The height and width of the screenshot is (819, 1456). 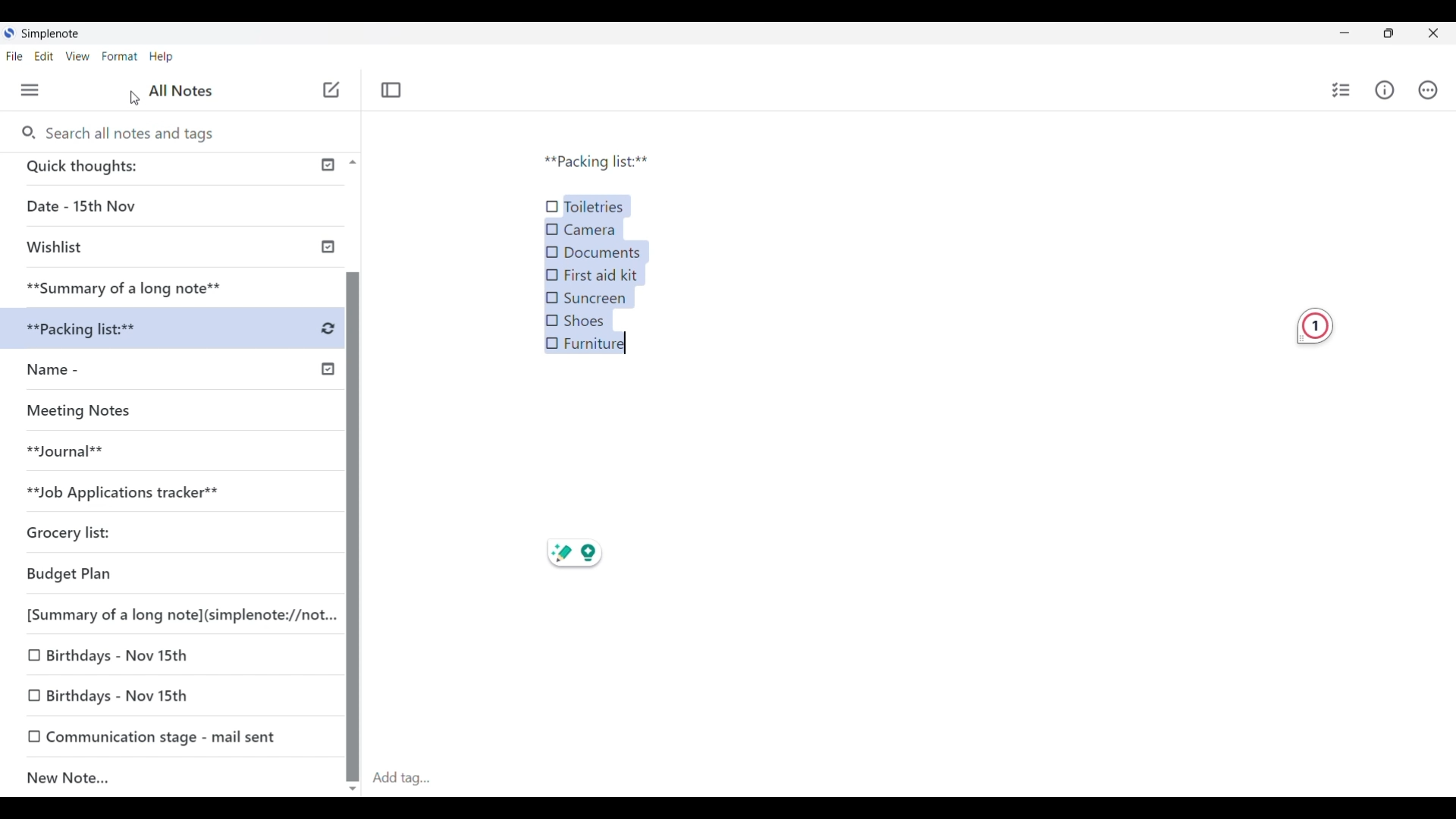 What do you see at coordinates (1389, 33) in the screenshot?
I see `Show interface in a smaller tab` at bounding box center [1389, 33].